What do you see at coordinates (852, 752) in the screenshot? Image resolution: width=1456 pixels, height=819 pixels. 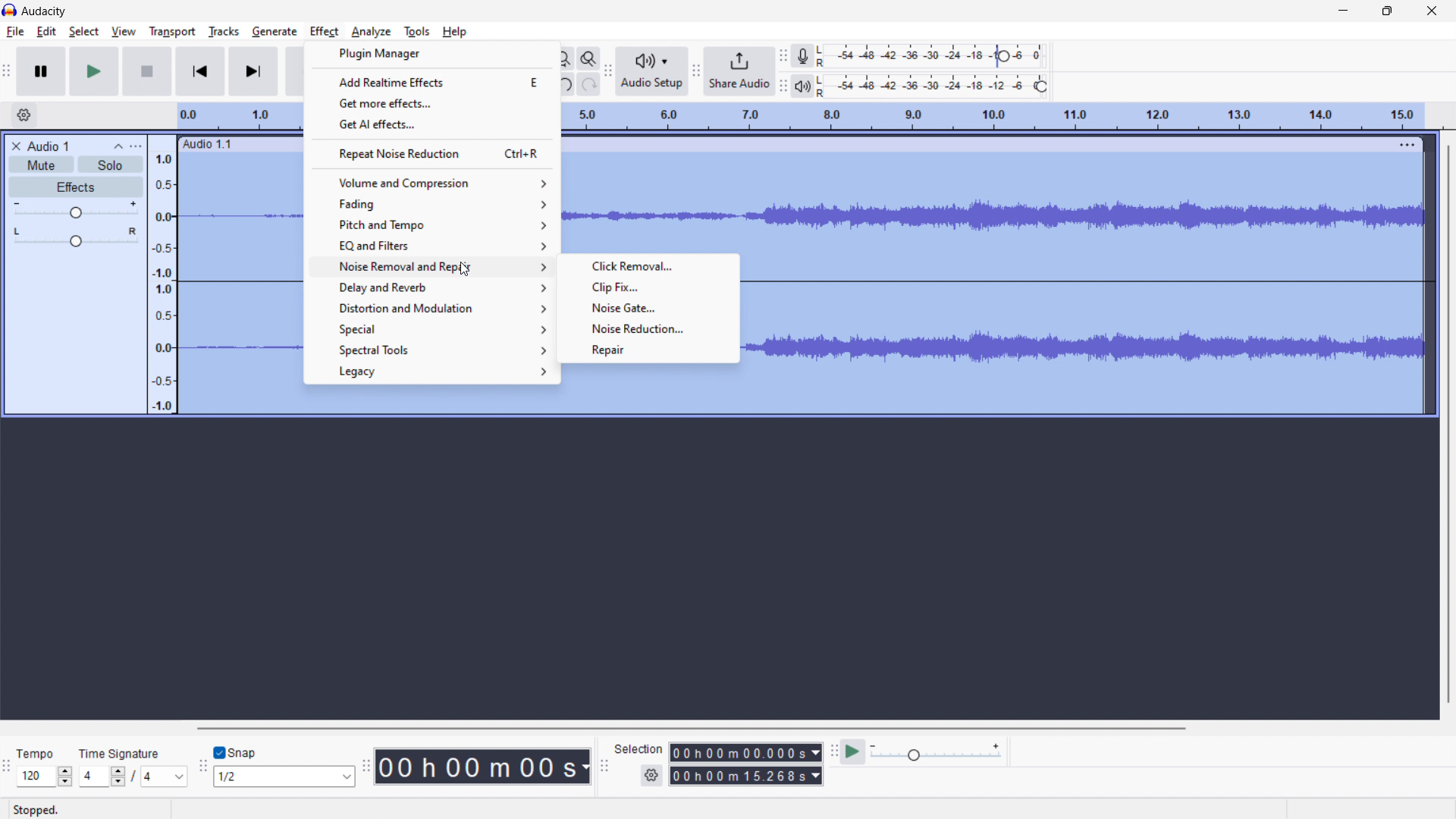 I see `play at speed` at bounding box center [852, 752].